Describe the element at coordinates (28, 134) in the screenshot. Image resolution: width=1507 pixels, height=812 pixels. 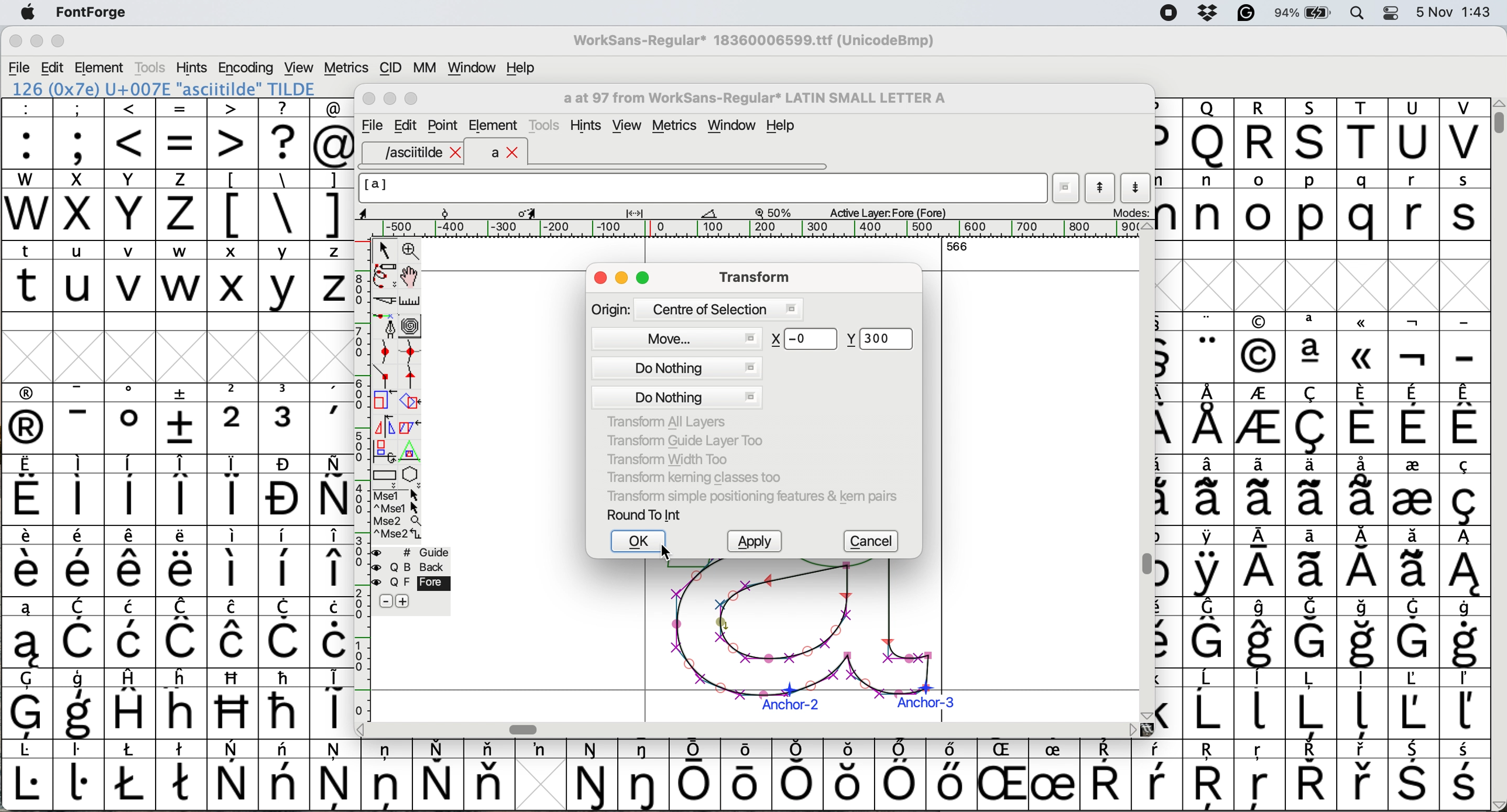
I see `:` at that location.